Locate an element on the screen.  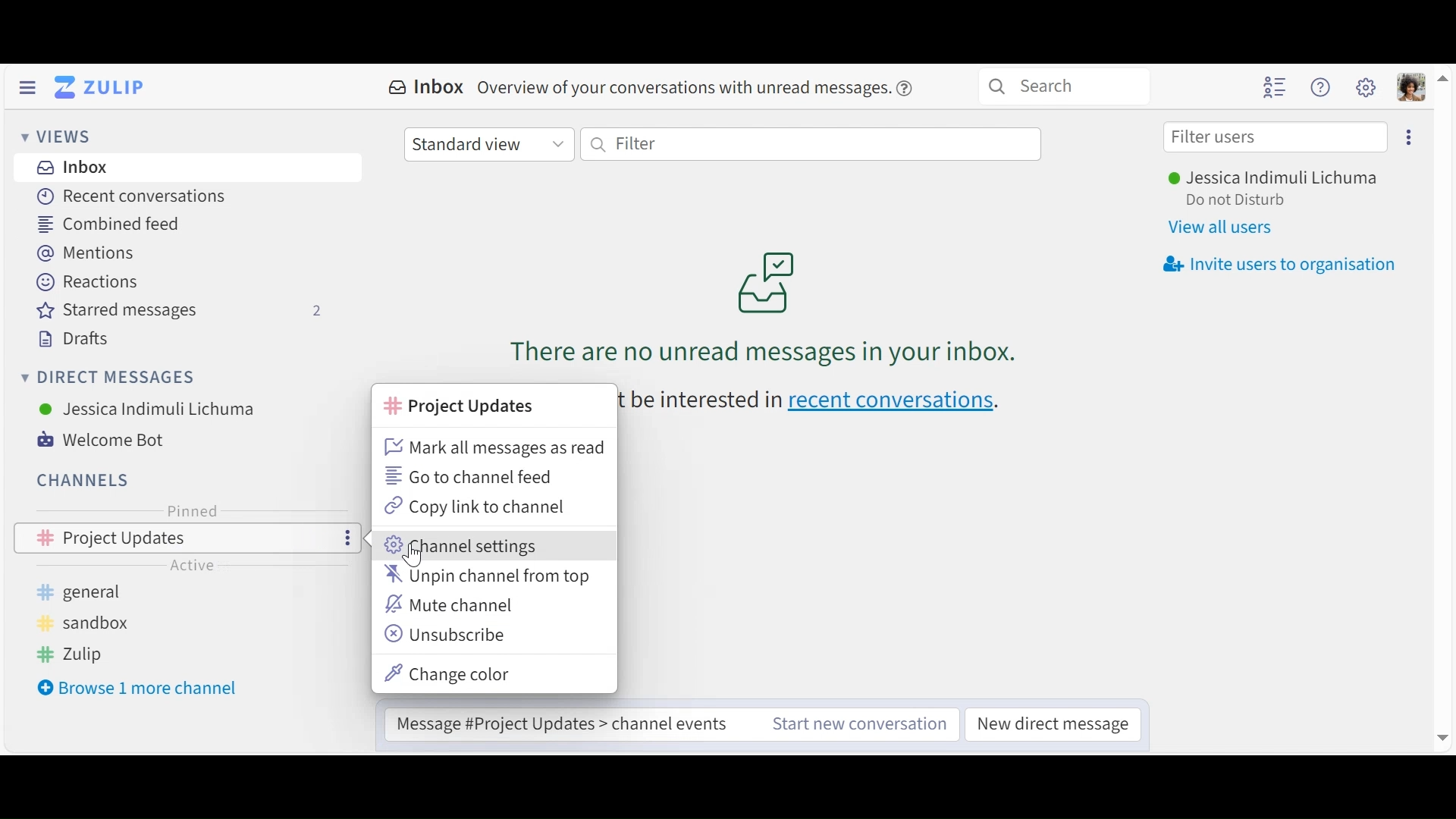
Go to Feed is located at coordinates (471, 477).